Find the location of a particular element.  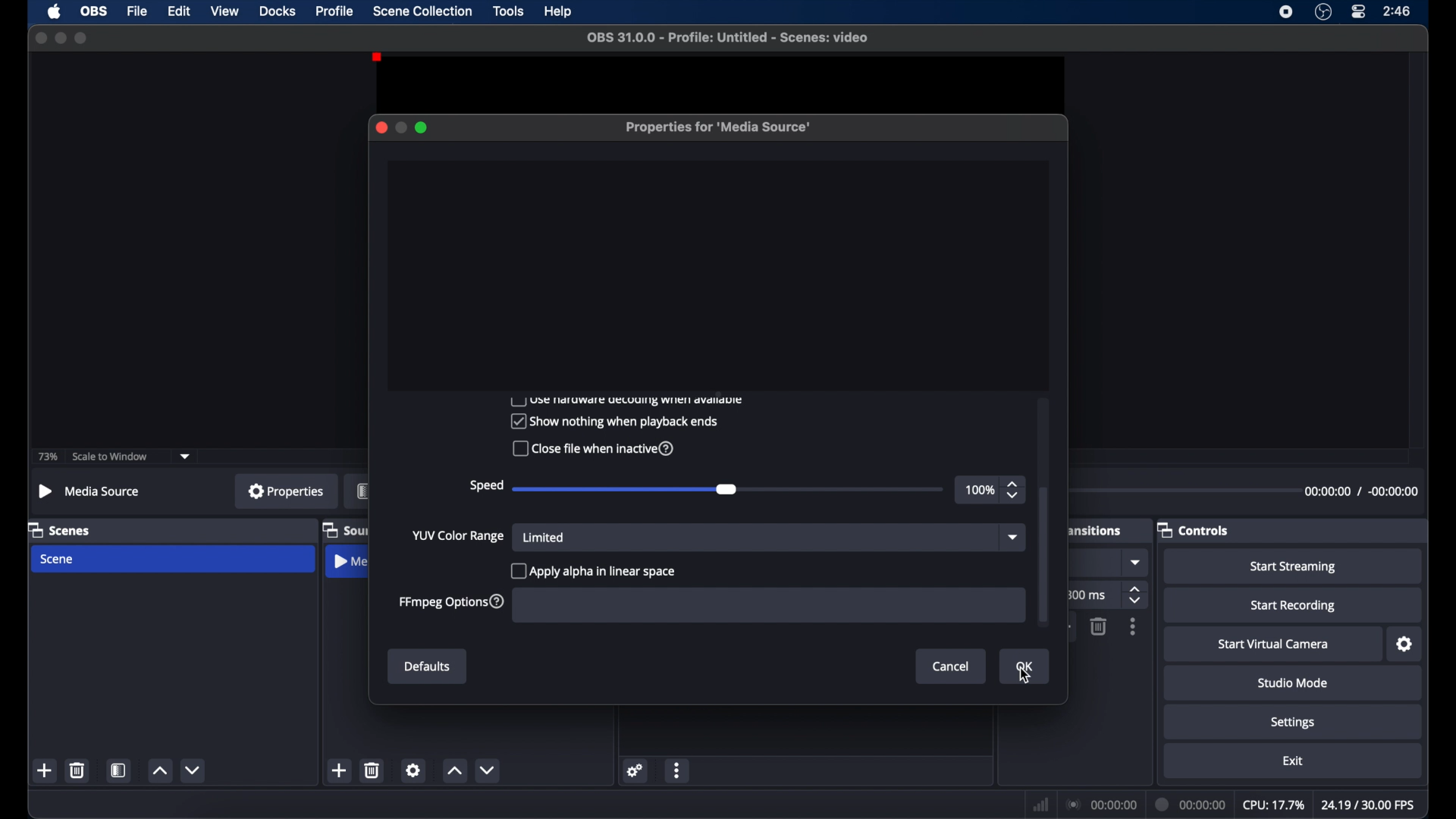

dropdown is located at coordinates (1137, 563).